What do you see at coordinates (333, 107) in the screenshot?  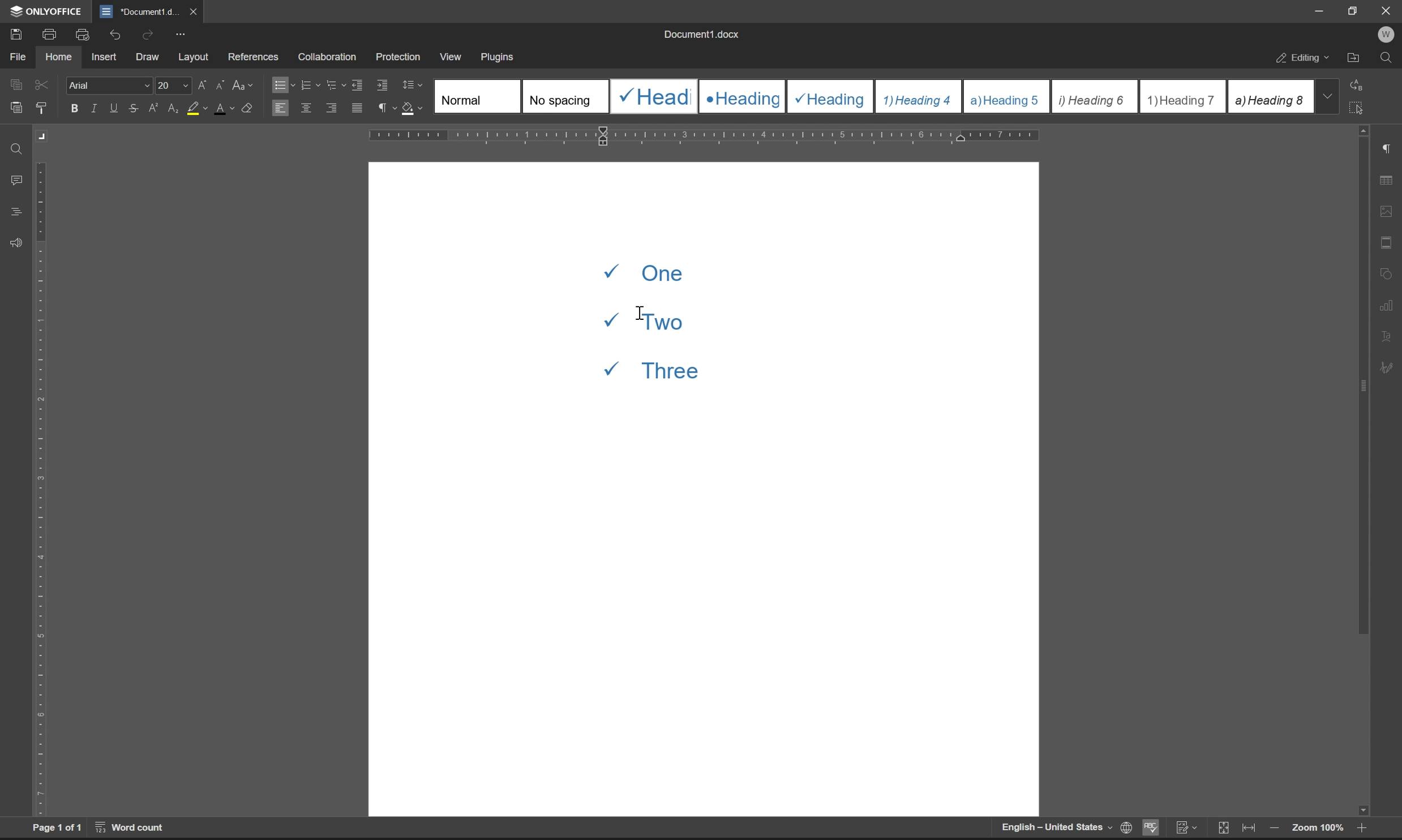 I see `align right` at bounding box center [333, 107].